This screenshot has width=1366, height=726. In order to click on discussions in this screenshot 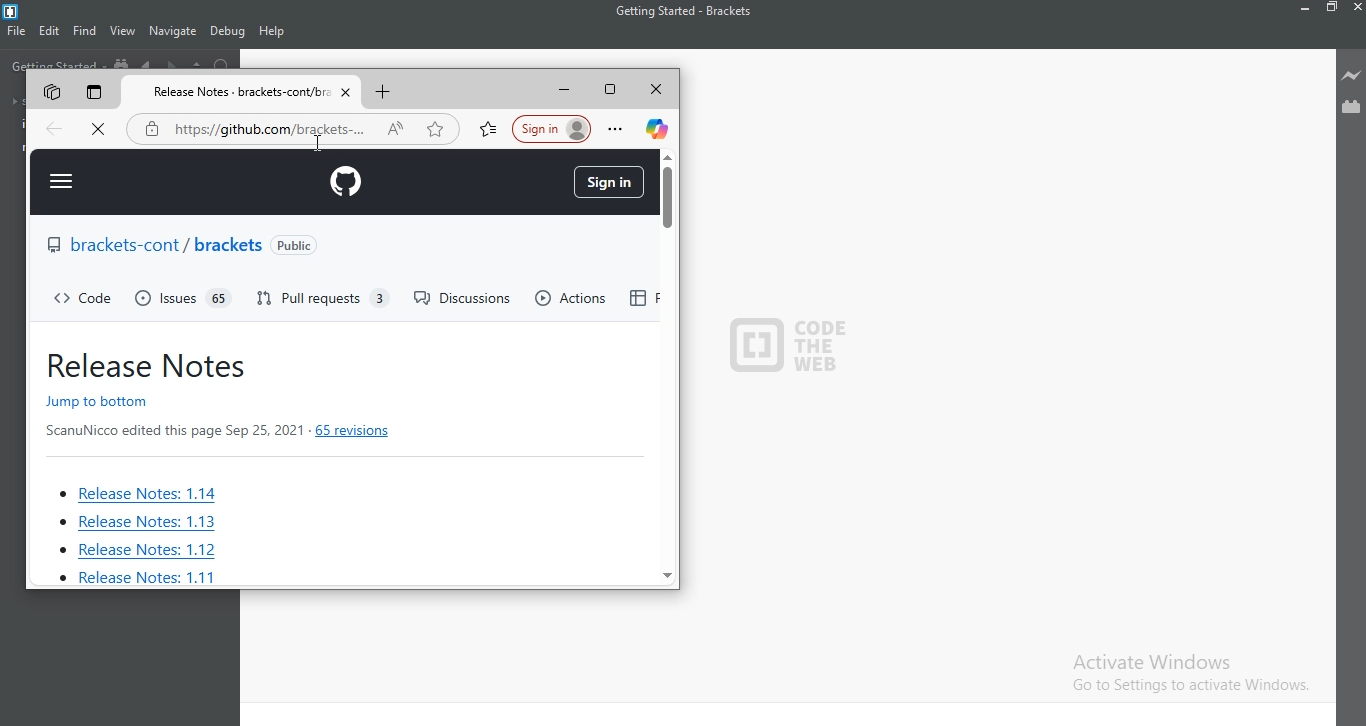, I will do `click(460, 298)`.